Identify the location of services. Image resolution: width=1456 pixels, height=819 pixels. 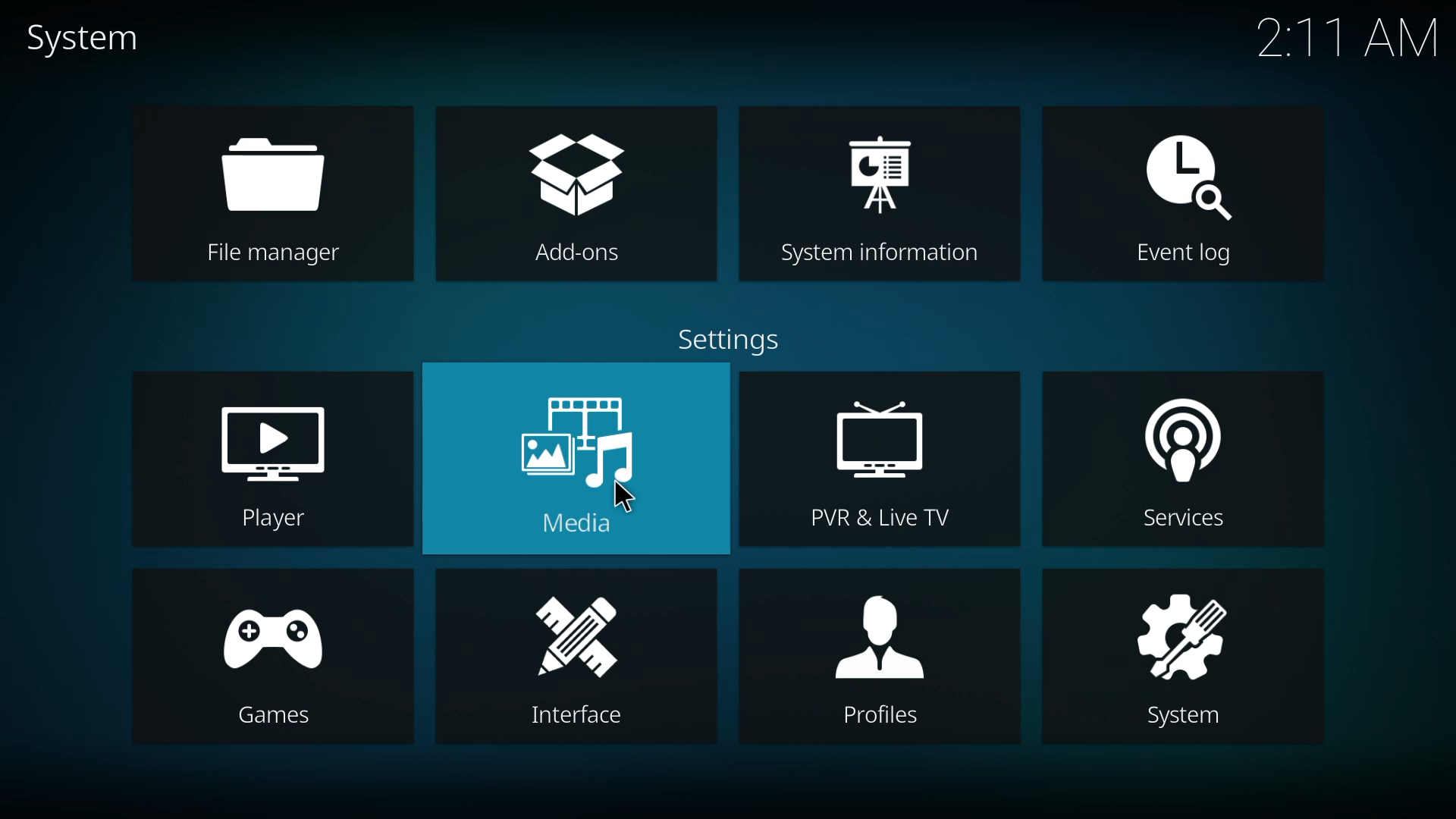
(1174, 460).